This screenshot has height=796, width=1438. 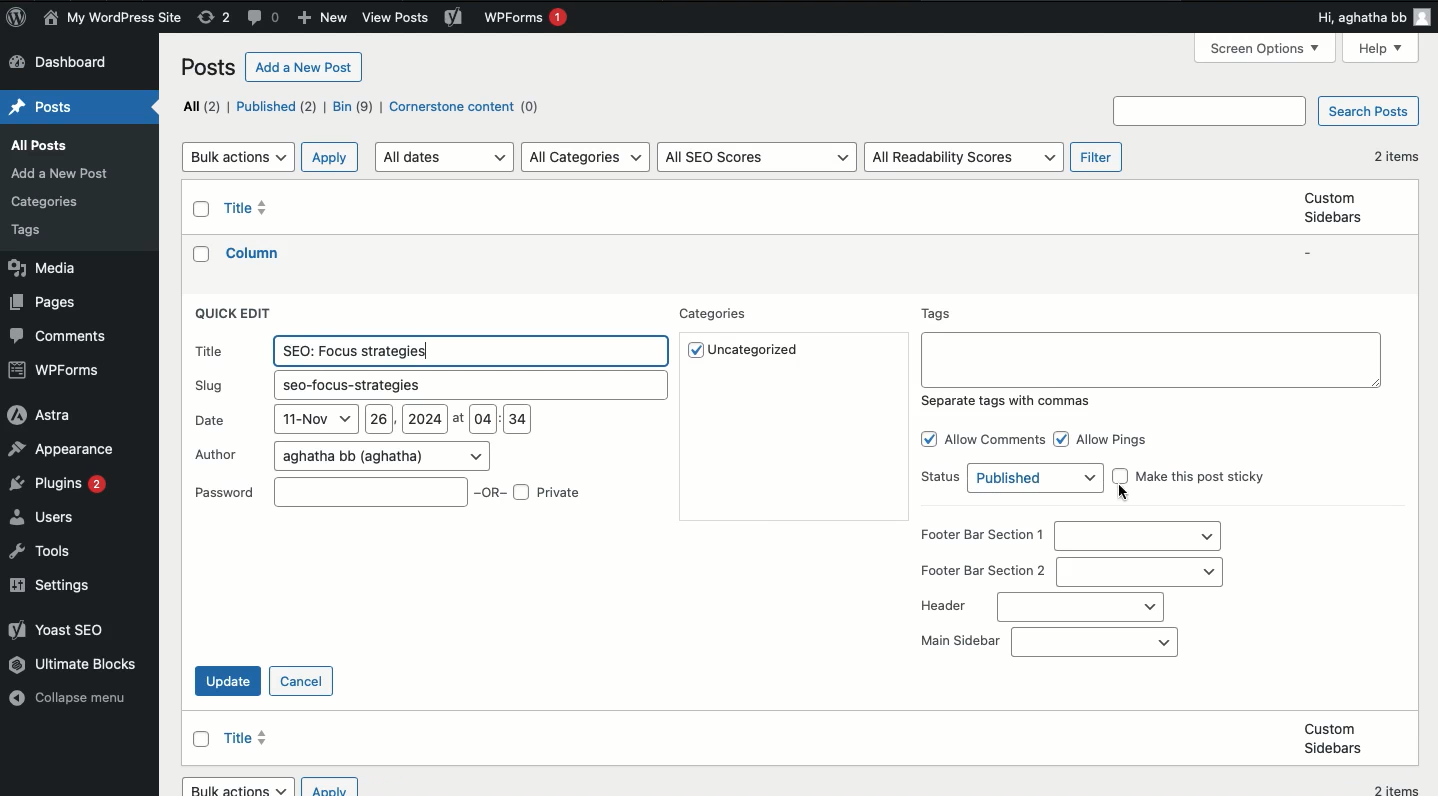 I want to click on Title, so click(x=248, y=738).